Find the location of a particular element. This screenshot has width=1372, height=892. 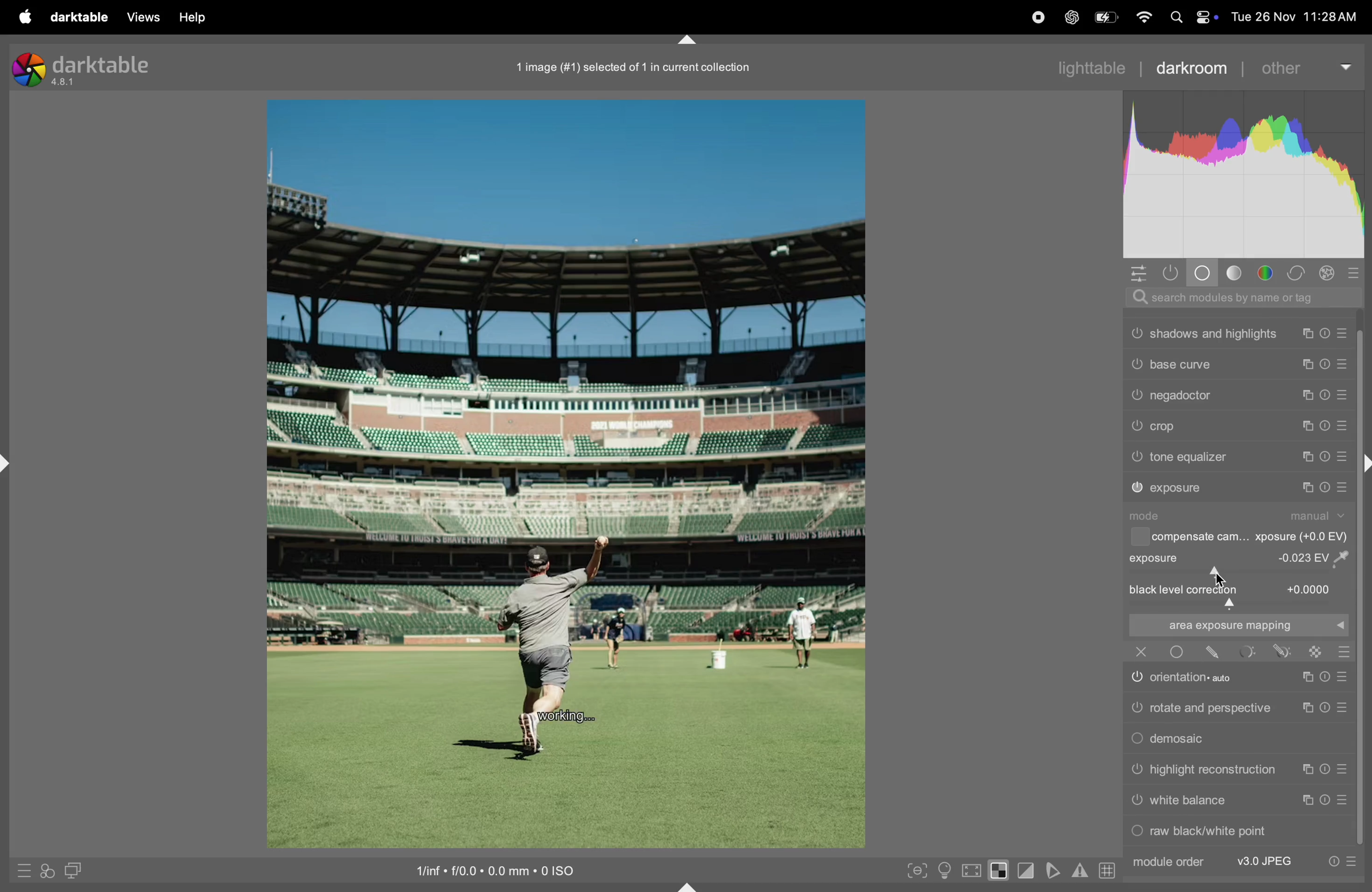

shadows and highlights is located at coordinates (1215, 334).